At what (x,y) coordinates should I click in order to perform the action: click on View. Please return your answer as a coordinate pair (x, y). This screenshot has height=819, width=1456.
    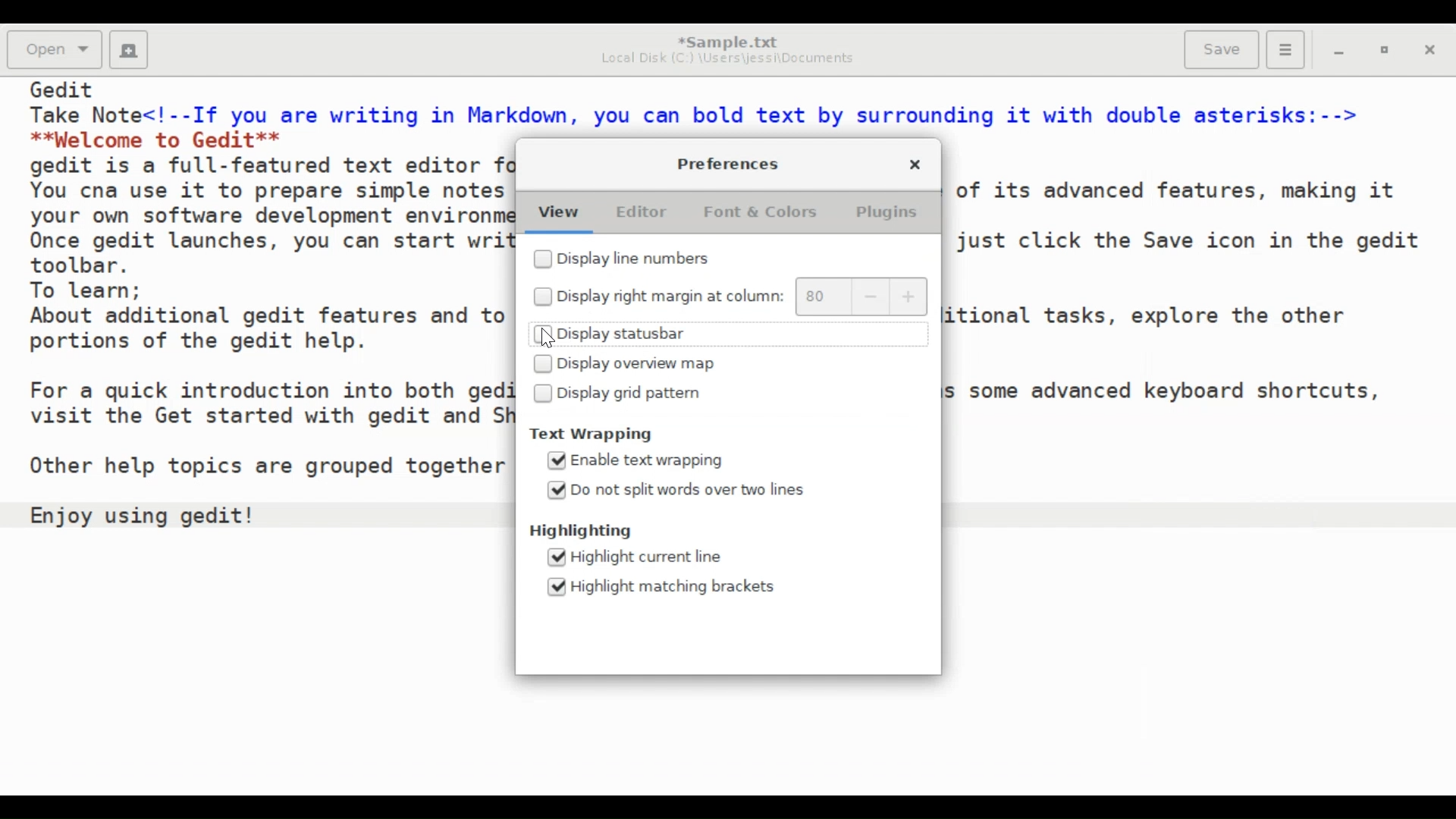
    Looking at the image, I should click on (559, 213).